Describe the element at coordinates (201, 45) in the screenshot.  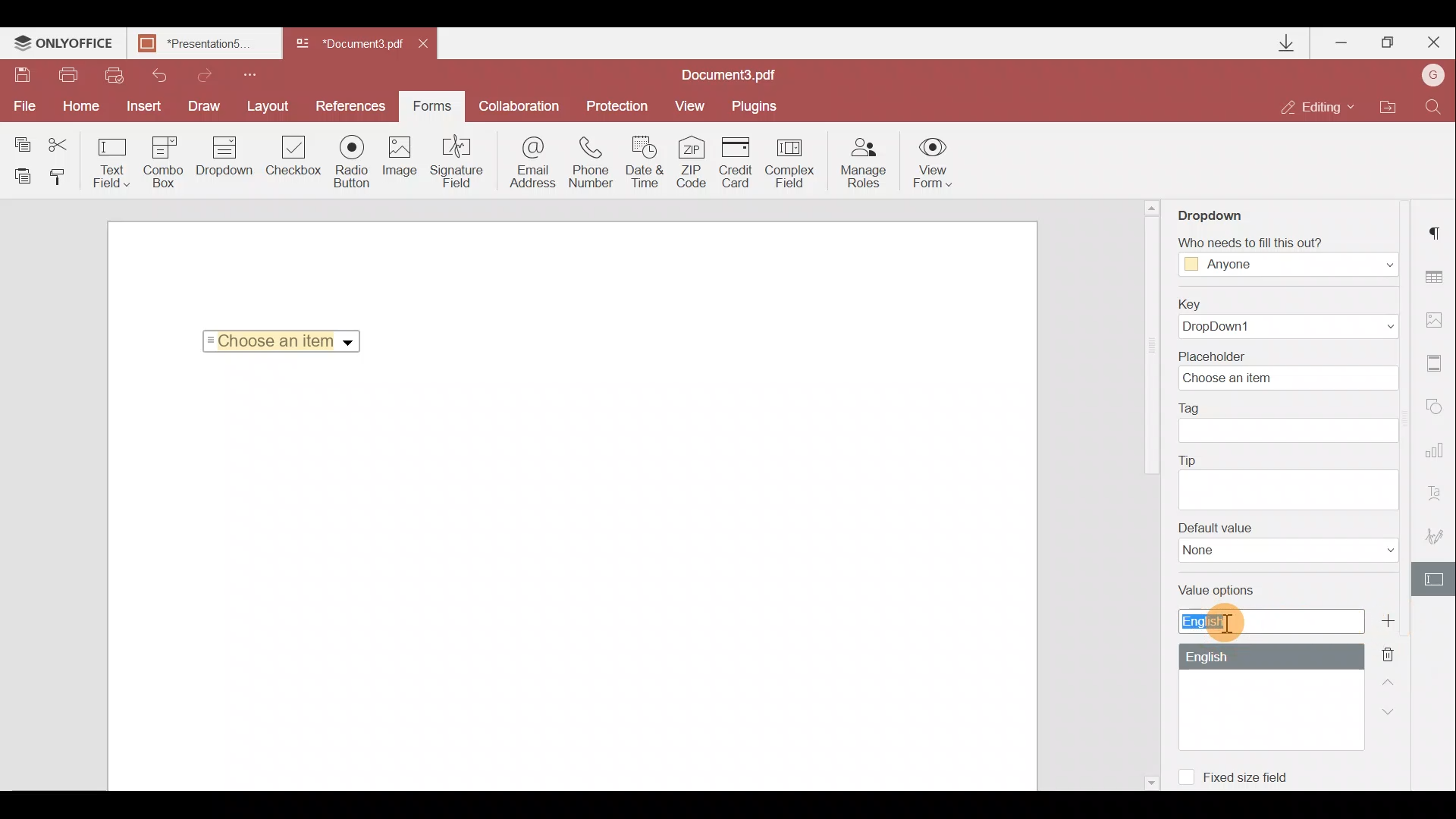
I see `Presentation5` at that location.